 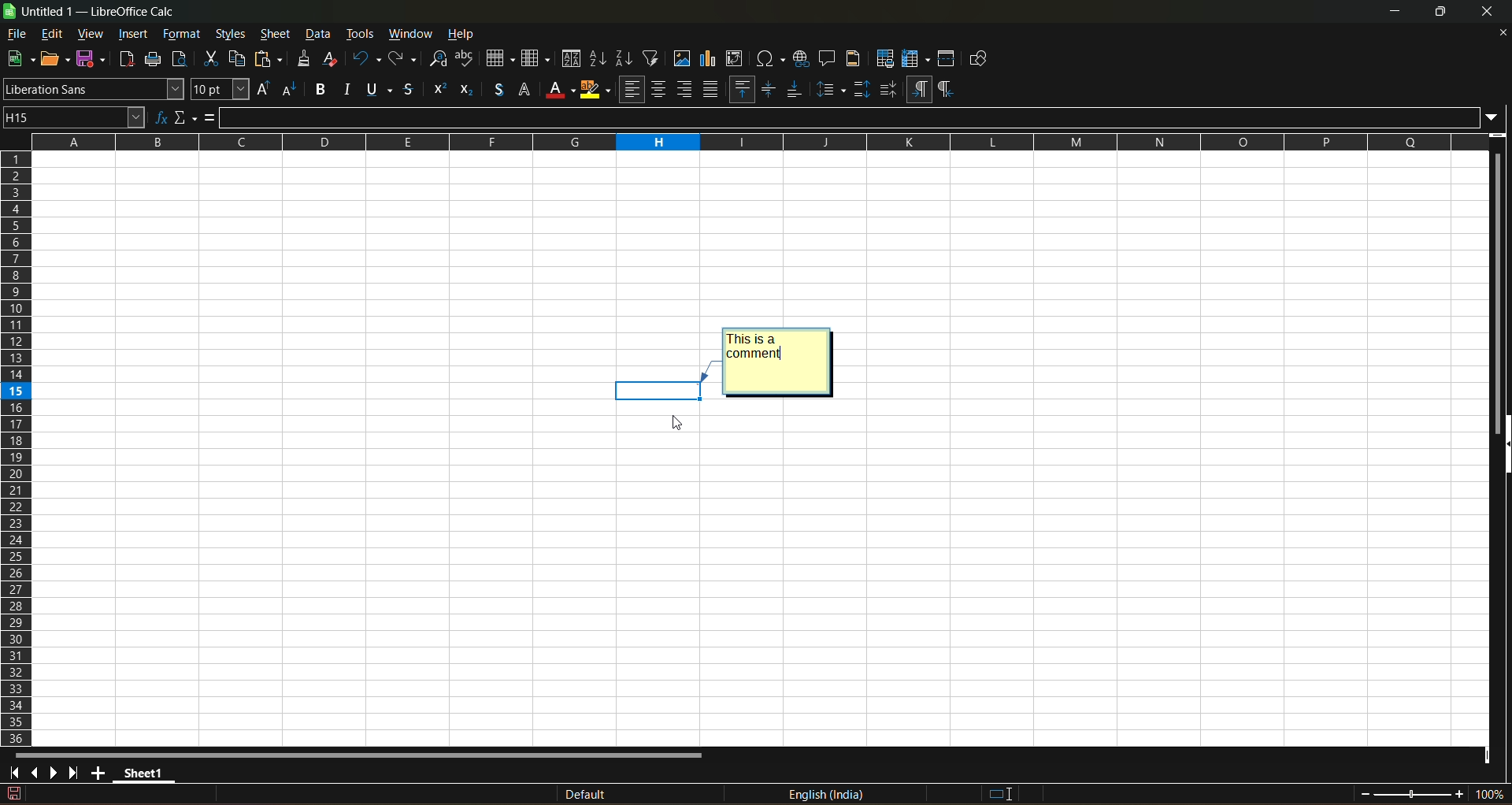 What do you see at coordinates (1432, 793) in the screenshot?
I see `zoom factor` at bounding box center [1432, 793].